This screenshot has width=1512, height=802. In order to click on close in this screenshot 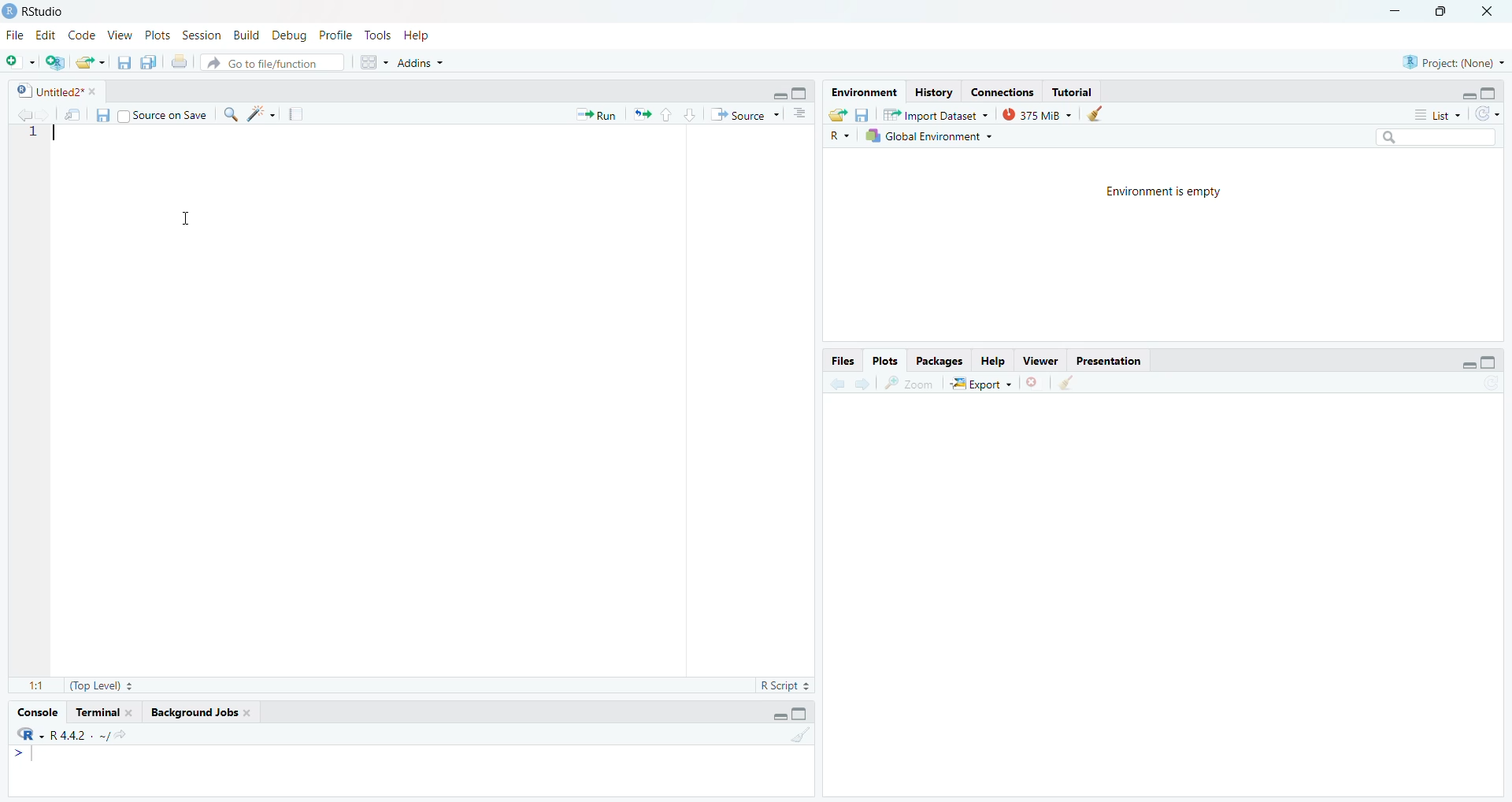, I will do `click(1478, 12)`.